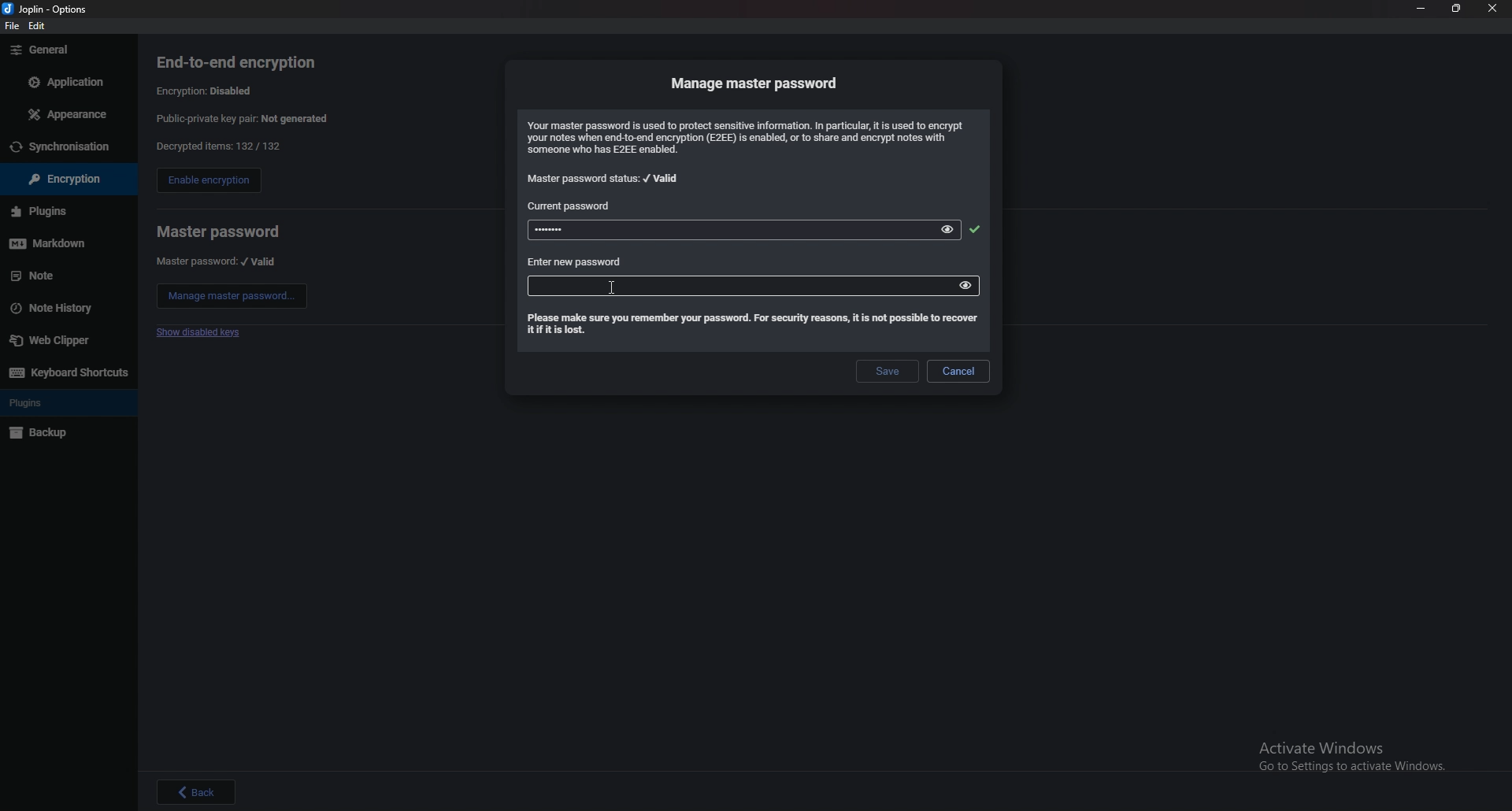 The image size is (1512, 811). I want to click on master password status, so click(605, 179).